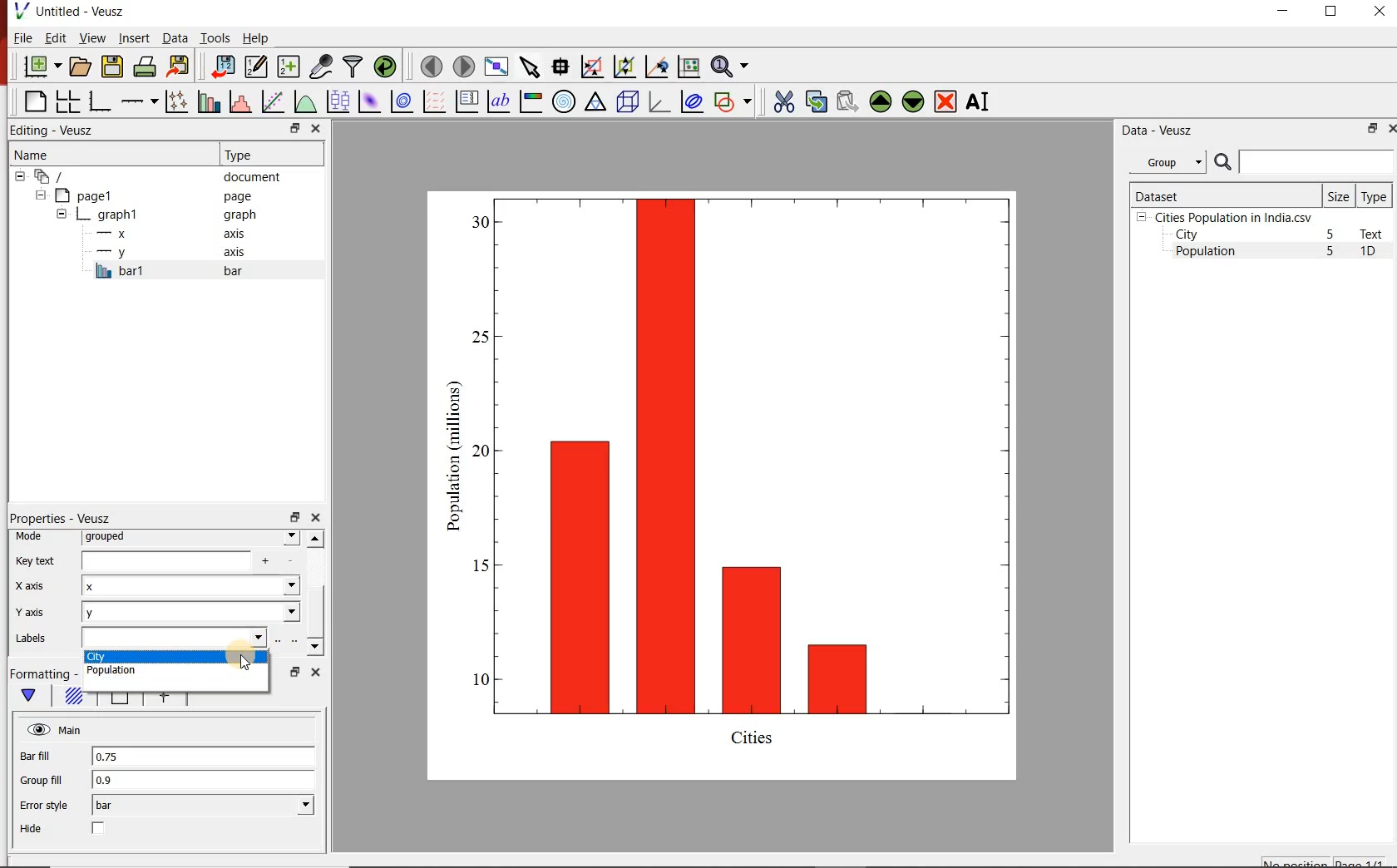 This screenshot has width=1397, height=868. Describe the element at coordinates (733, 101) in the screenshot. I see `add a shape to the plot` at that location.